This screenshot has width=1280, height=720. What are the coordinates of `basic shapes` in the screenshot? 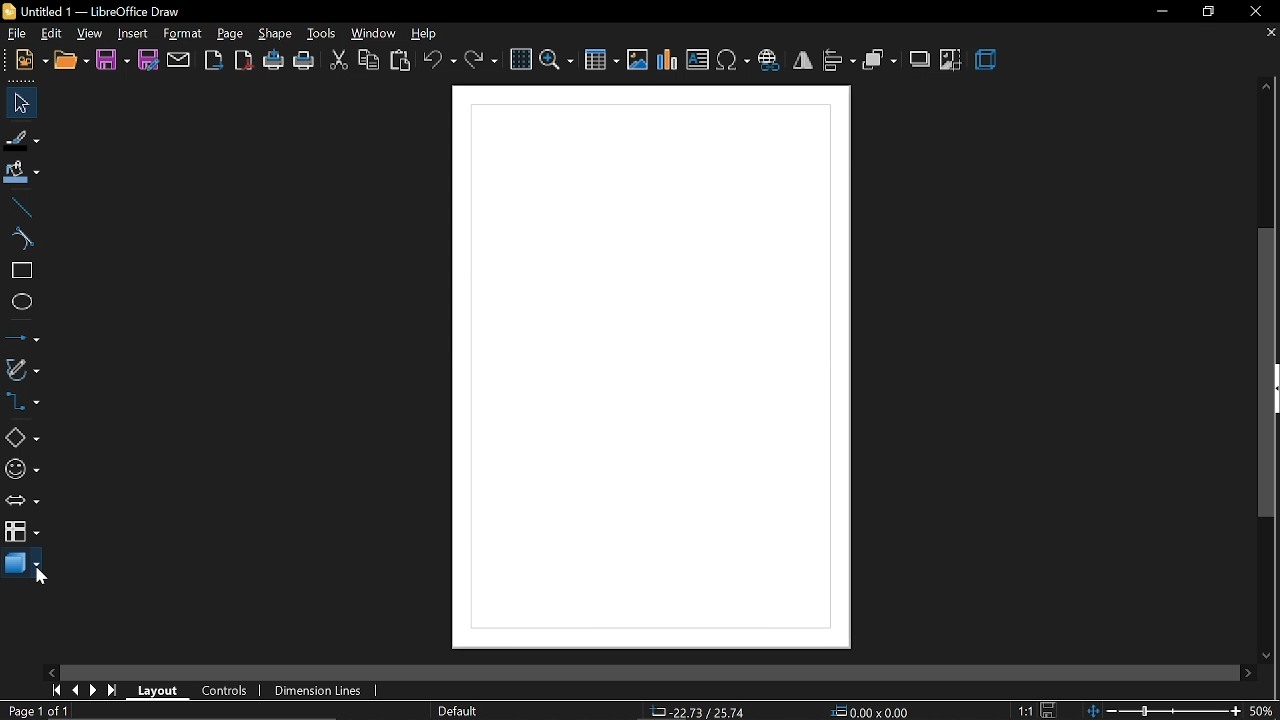 It's located at (22, 436).